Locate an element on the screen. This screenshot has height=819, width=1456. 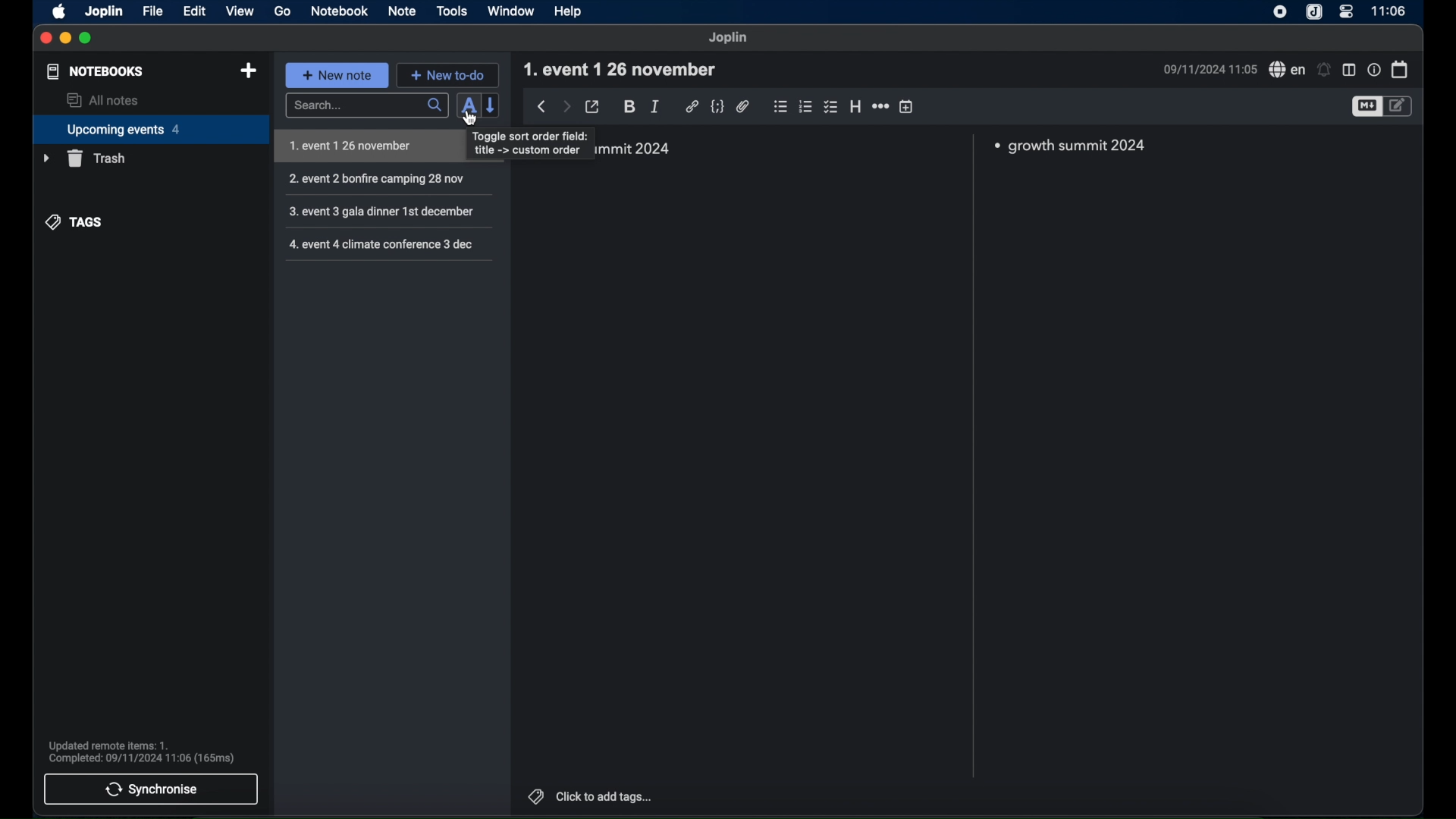
forward is located at coordinates (566, 105).